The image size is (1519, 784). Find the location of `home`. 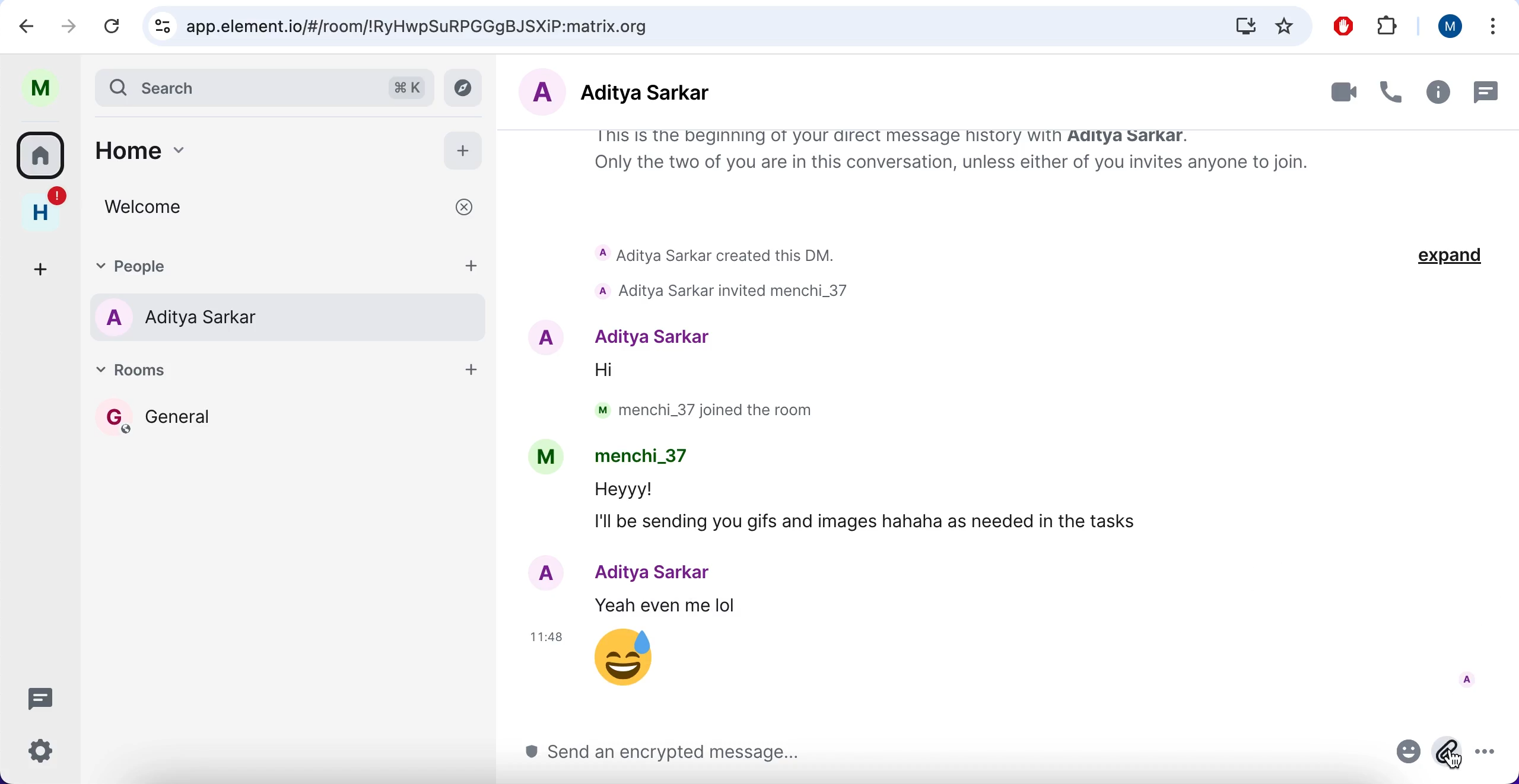

home is located at coordinates (250, 147).